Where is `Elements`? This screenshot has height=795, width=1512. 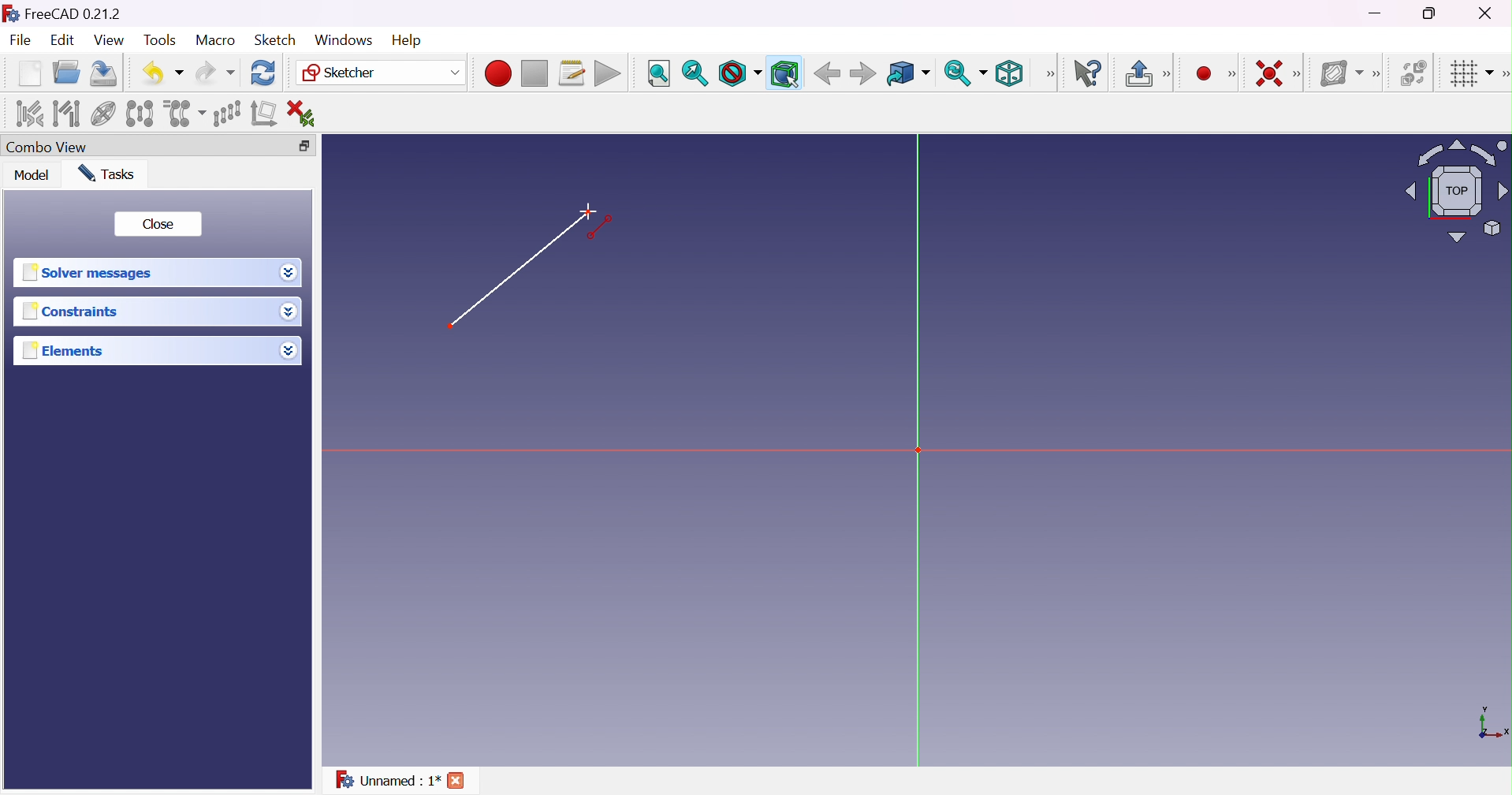 Elements is located at coordinates (72, 351).